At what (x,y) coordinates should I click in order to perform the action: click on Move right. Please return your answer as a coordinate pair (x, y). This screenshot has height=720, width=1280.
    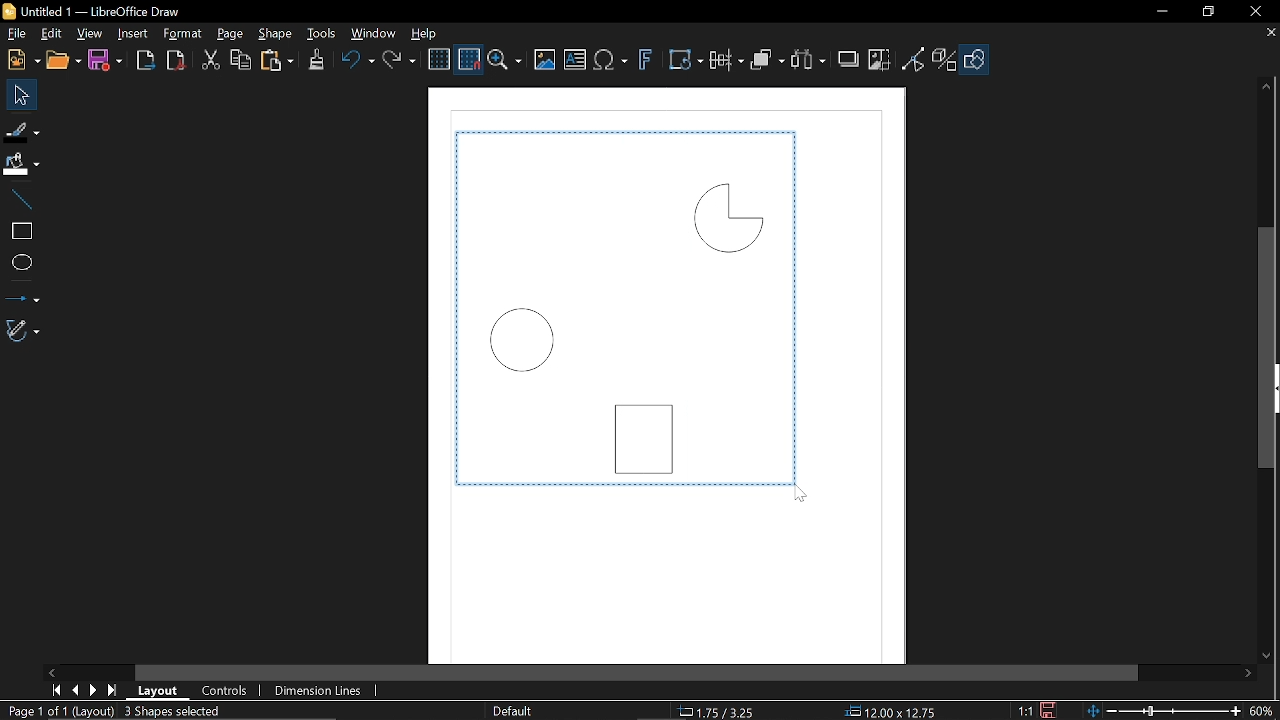
    Looking at the image, I should click on (1250, 675).